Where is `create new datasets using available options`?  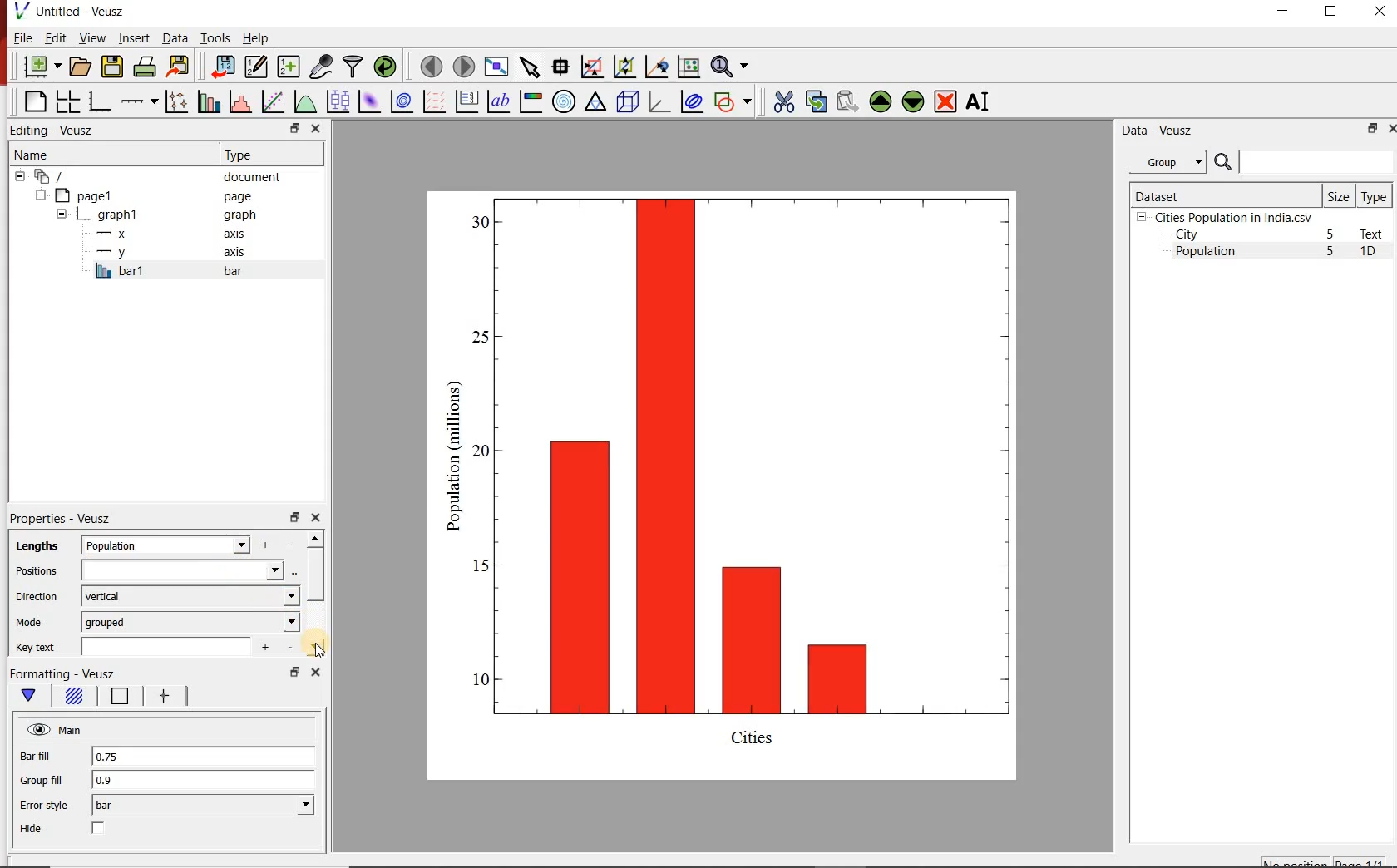 create new datasets using available options is located at coordinates (286, 67).